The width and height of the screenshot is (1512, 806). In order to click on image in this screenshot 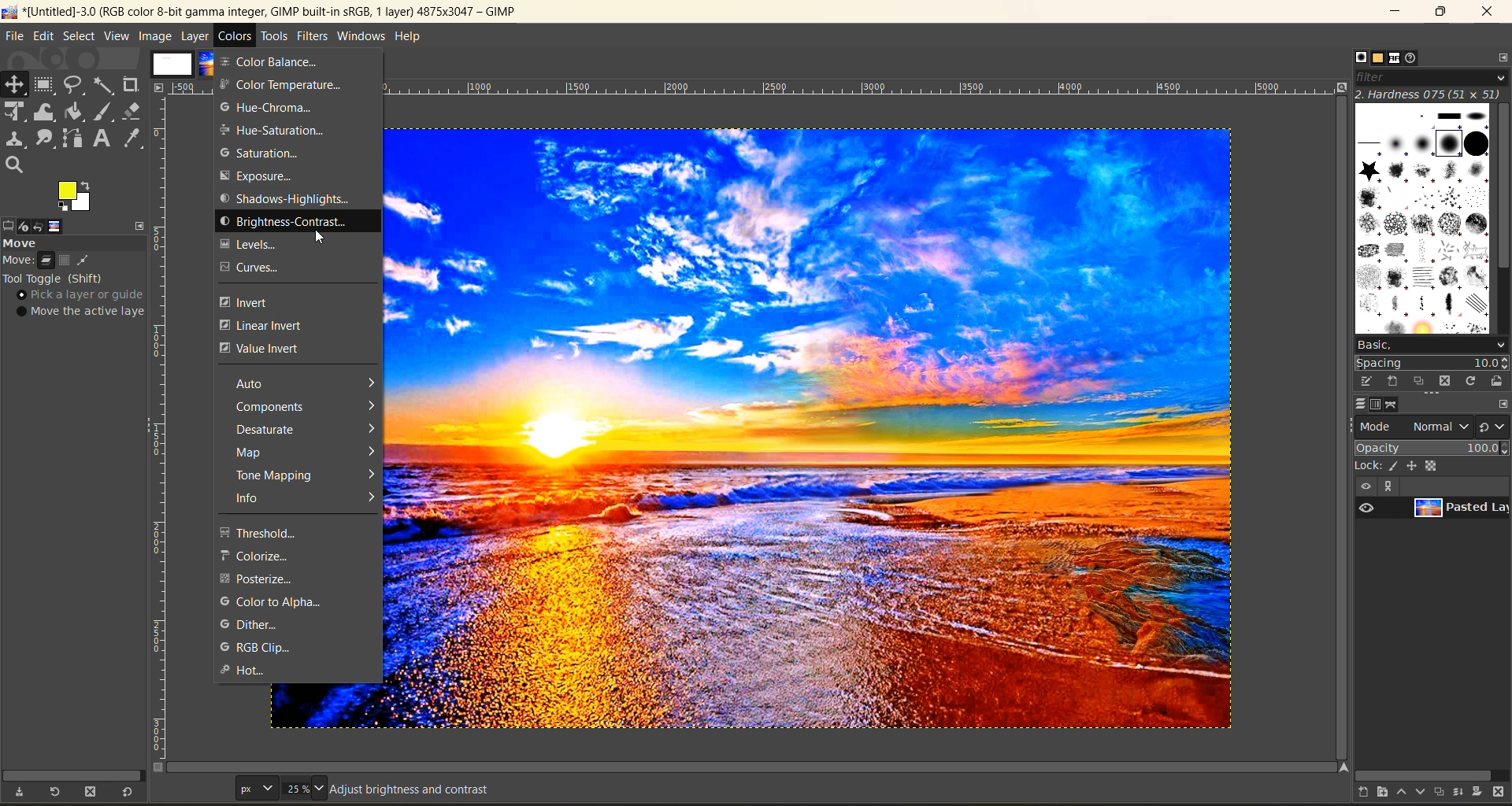, I will do `click(155, 36)`.